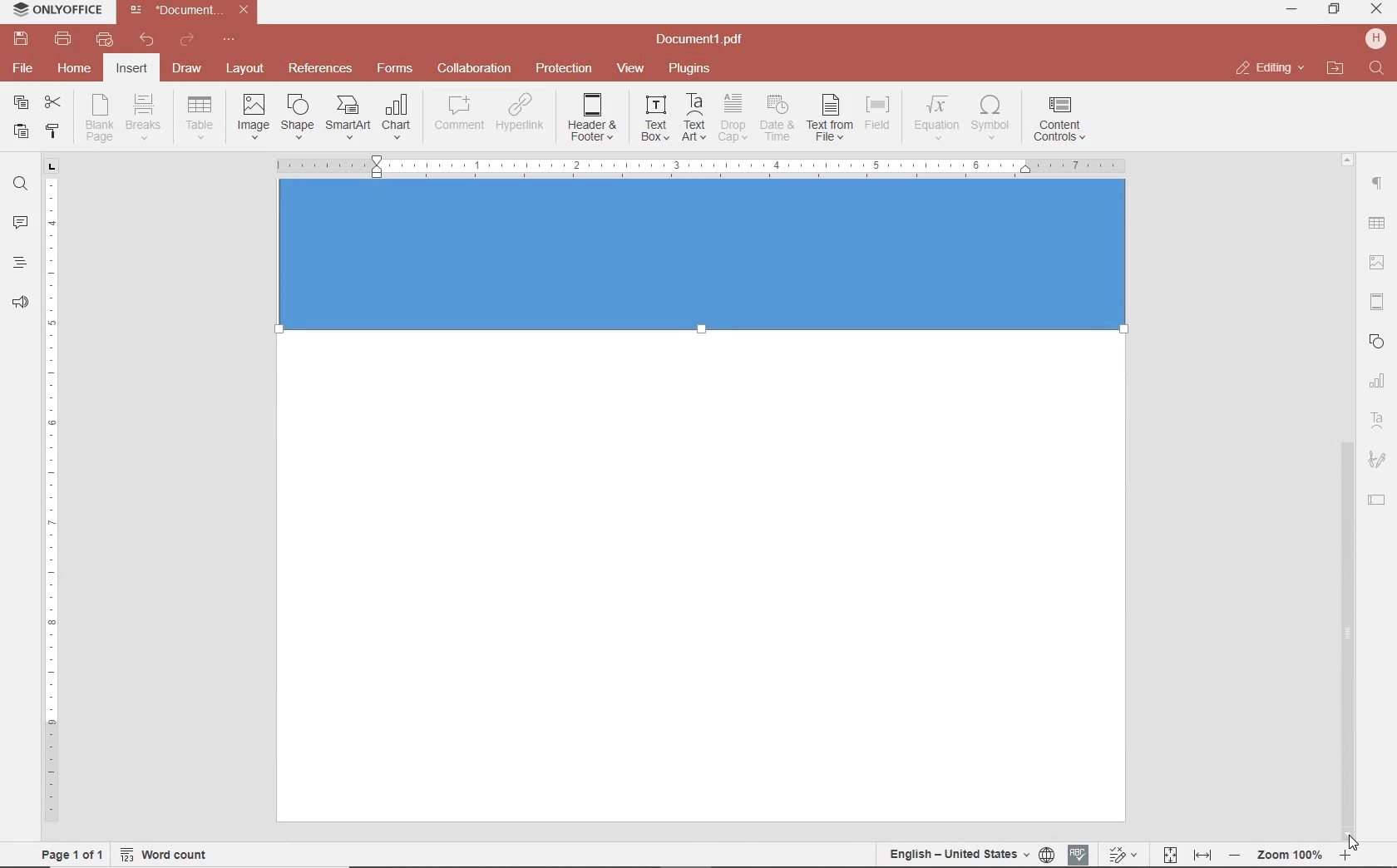  What do you see at coordinates (733, 118) in the screenshot?
I see `DROP CAP` at bounding box center [733, 118].